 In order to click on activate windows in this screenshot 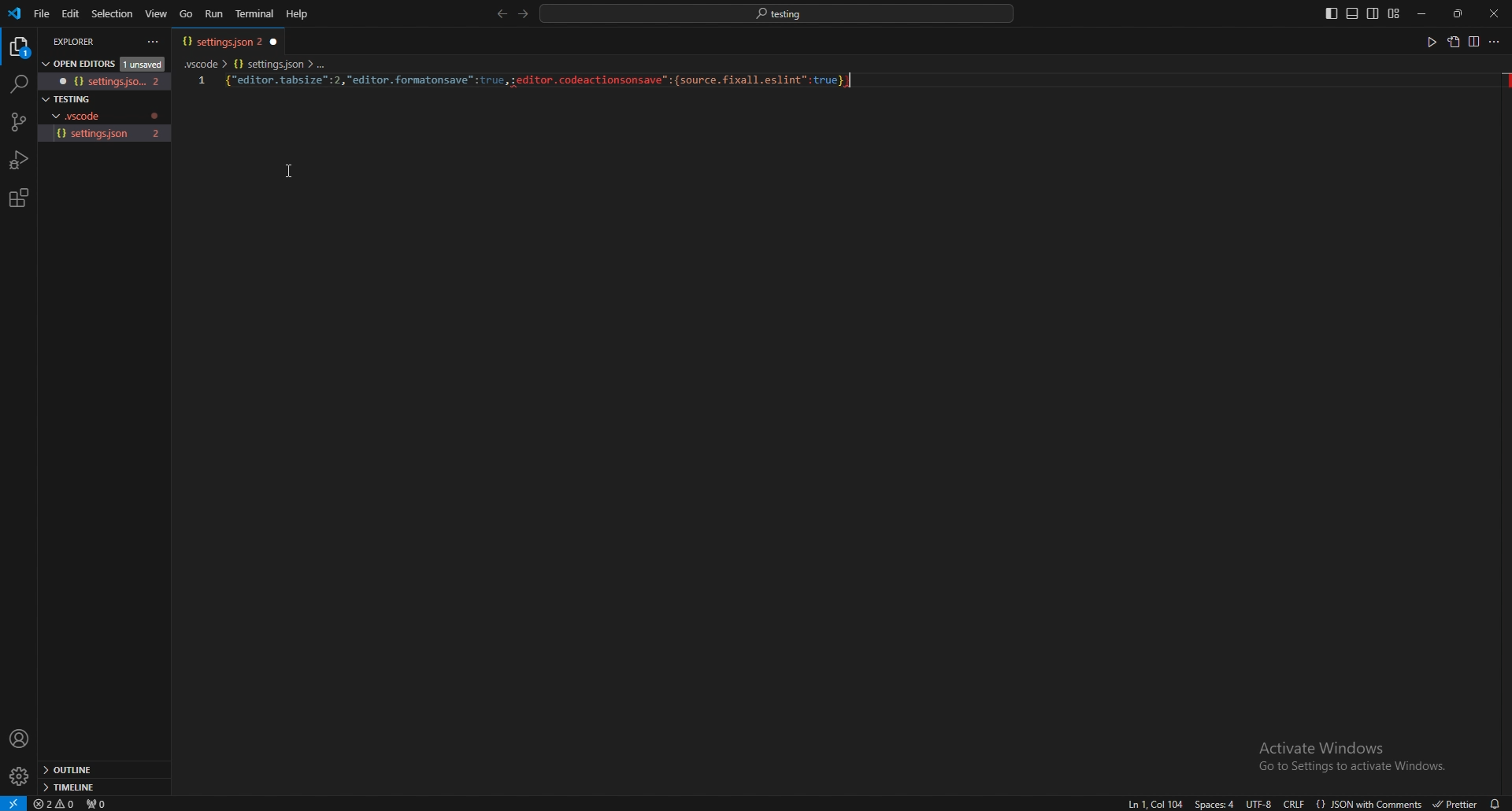, I will do `click(1350, 749)`.